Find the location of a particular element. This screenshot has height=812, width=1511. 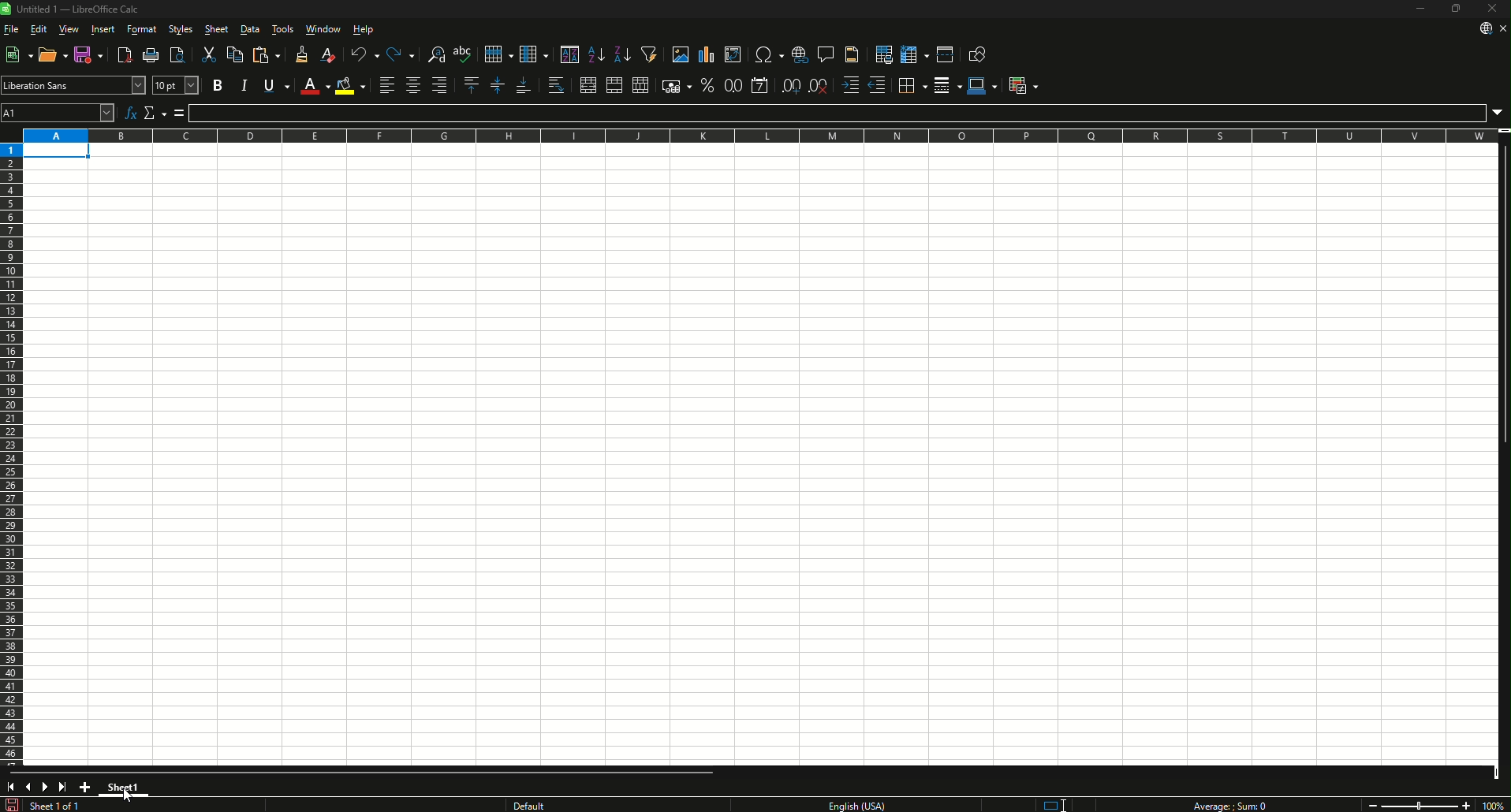

Font Size is located at coordinates (176, 85).